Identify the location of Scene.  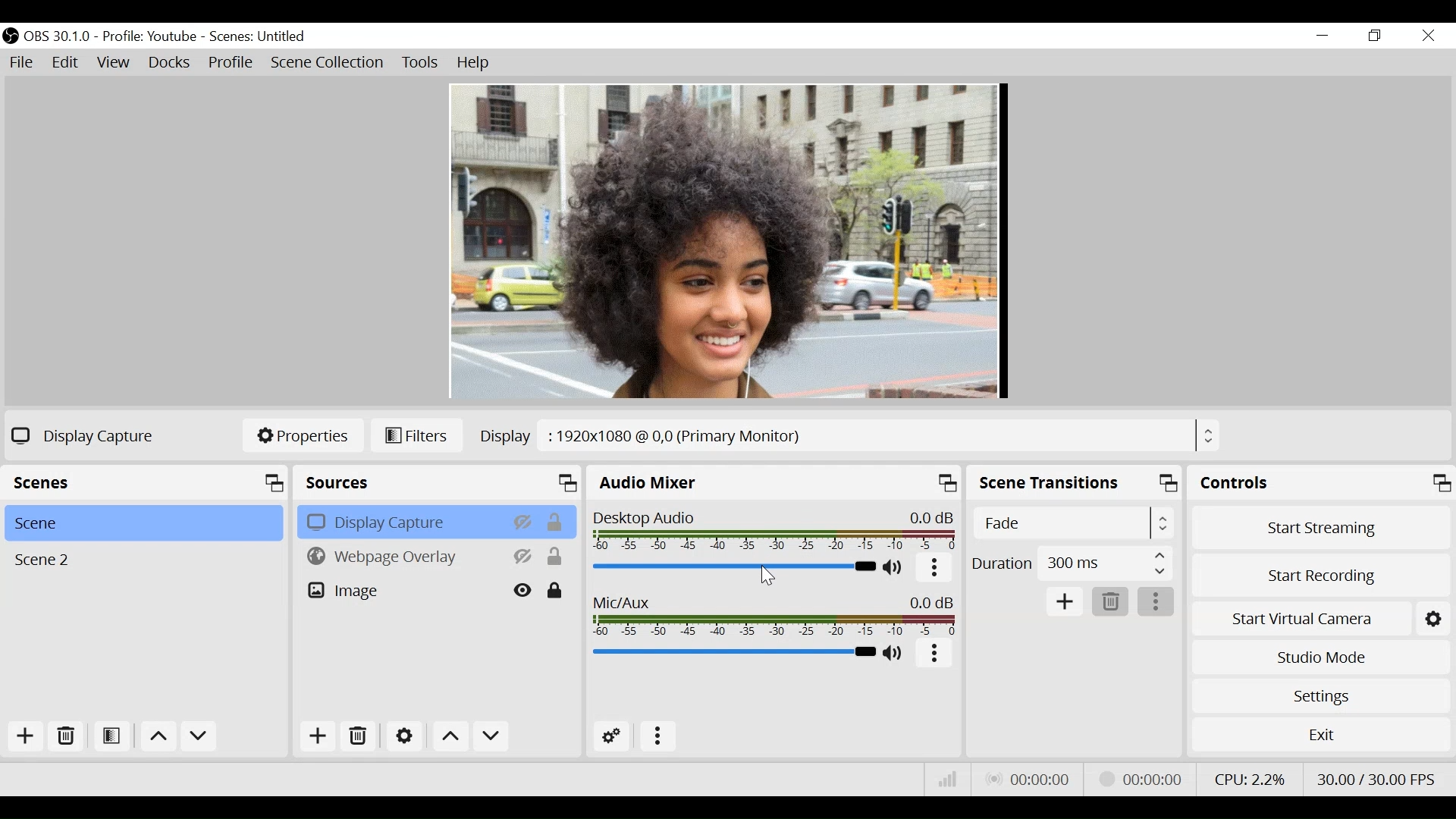
(140, 523).